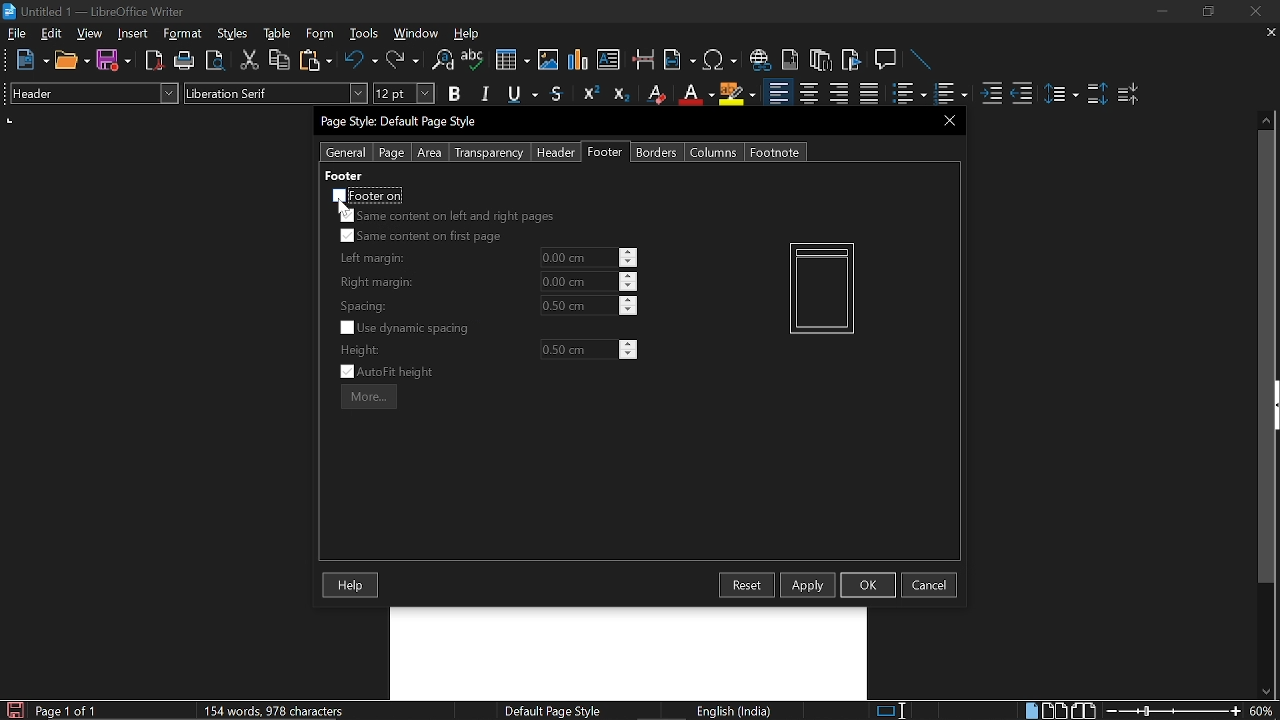 This screenshot has height=720, width=1280. What do you see at coordinates (369, 396) in the screenshot?
I see `more` at bounding box center [369, 396].